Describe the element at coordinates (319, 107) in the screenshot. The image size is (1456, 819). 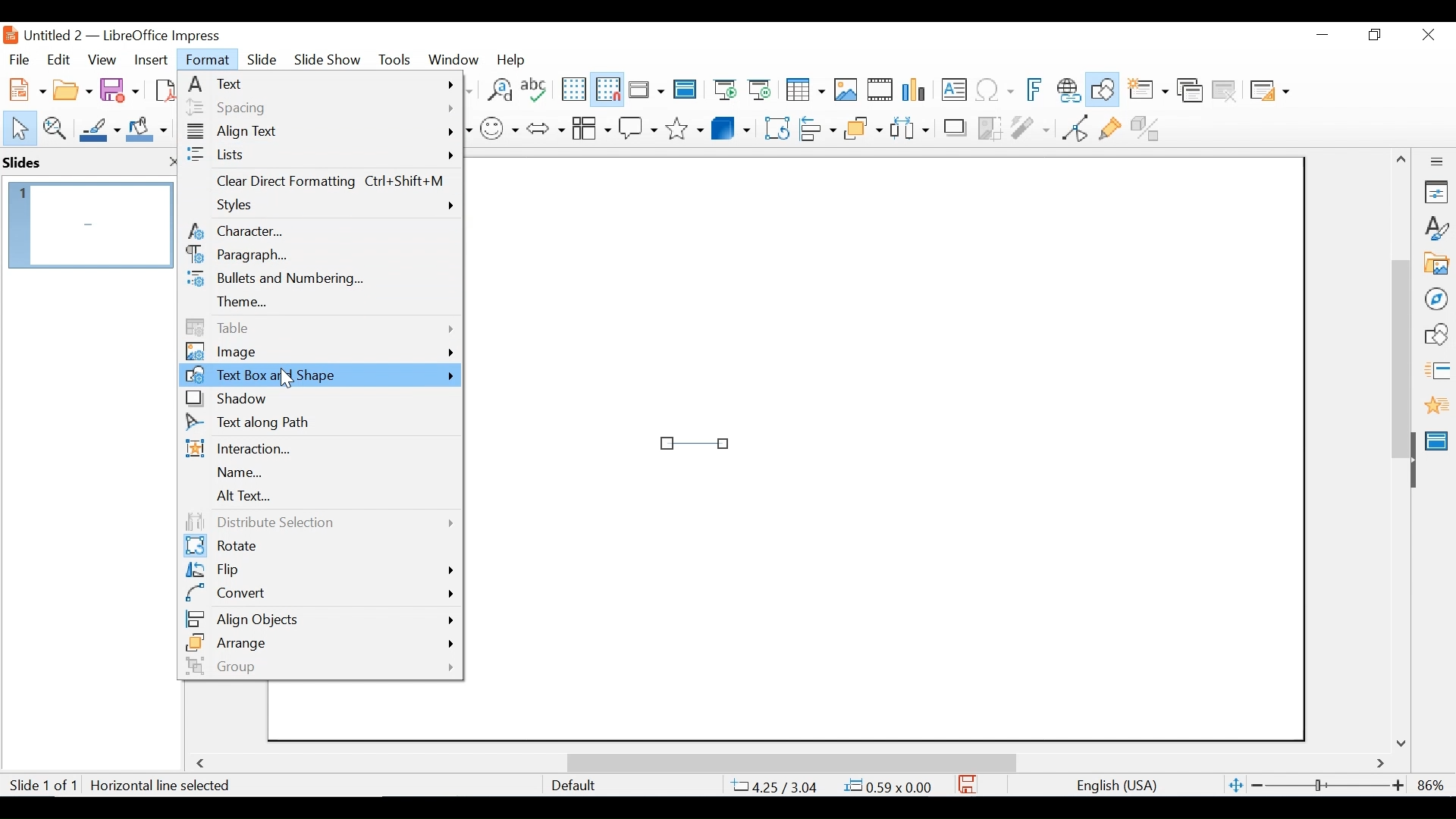
I see `Spacing` at that location.